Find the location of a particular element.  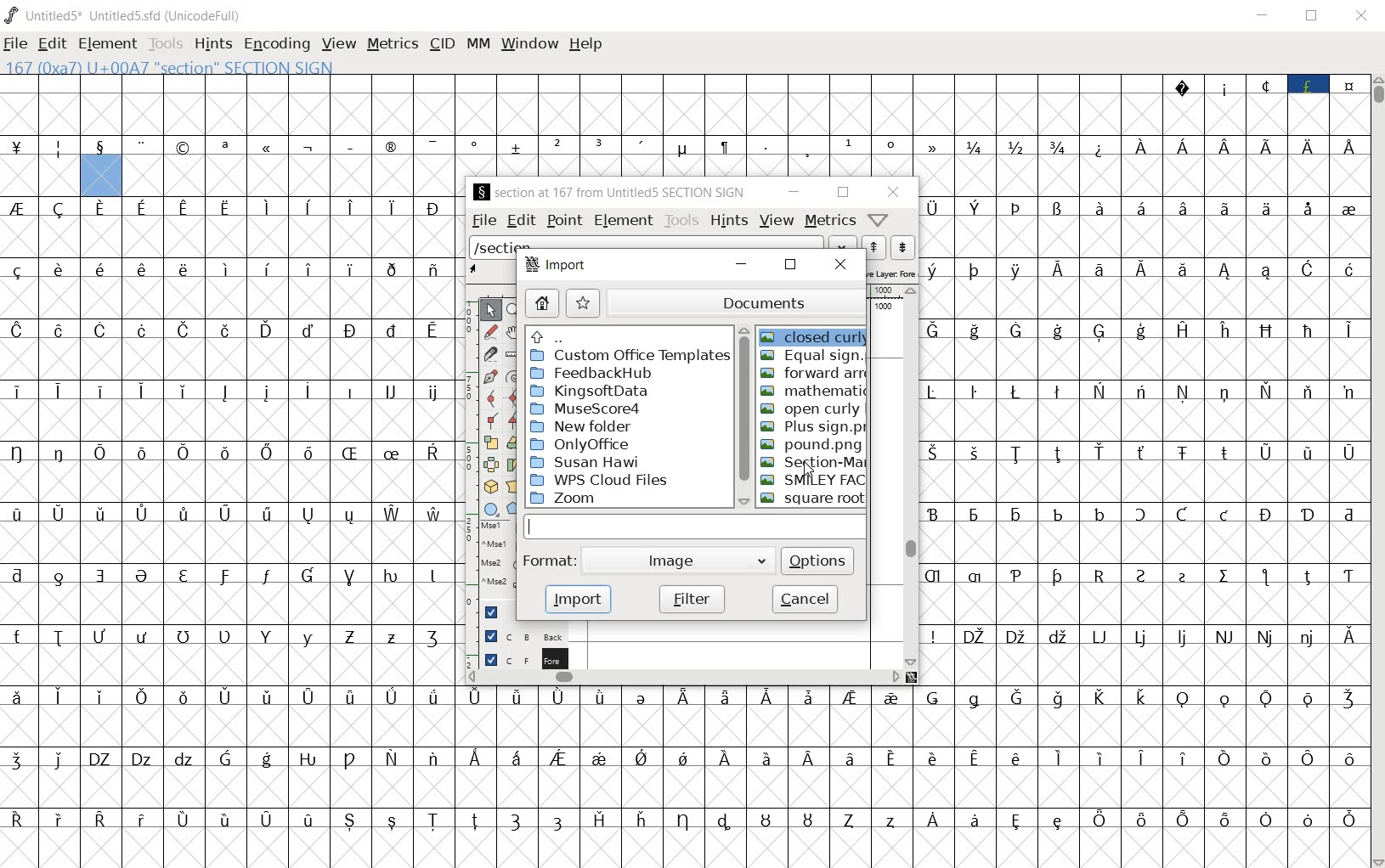

rectangle or ellipse is located at coordinates (491, 510).